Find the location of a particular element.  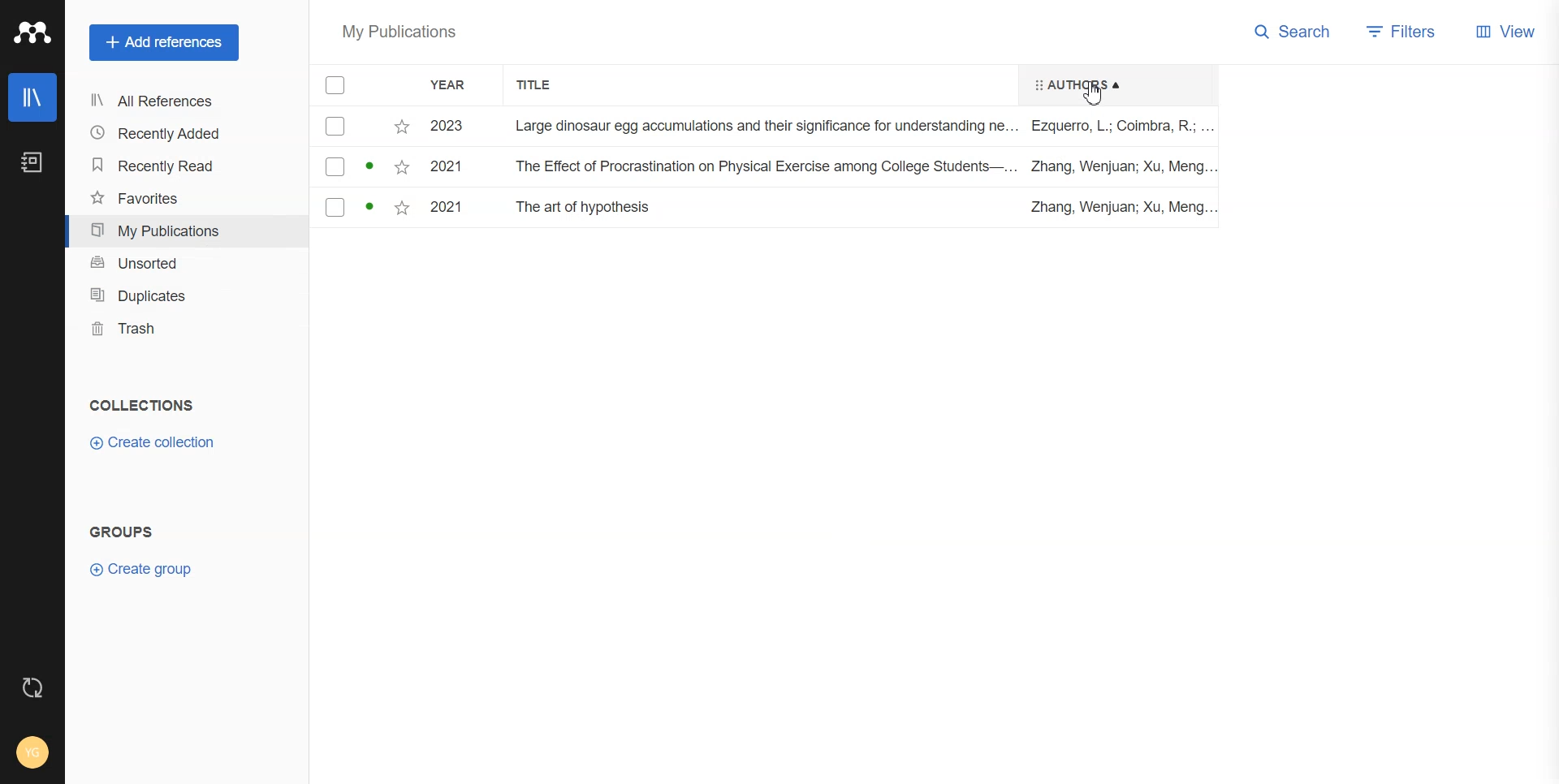

Favorites is located at coordinates (402, 168).